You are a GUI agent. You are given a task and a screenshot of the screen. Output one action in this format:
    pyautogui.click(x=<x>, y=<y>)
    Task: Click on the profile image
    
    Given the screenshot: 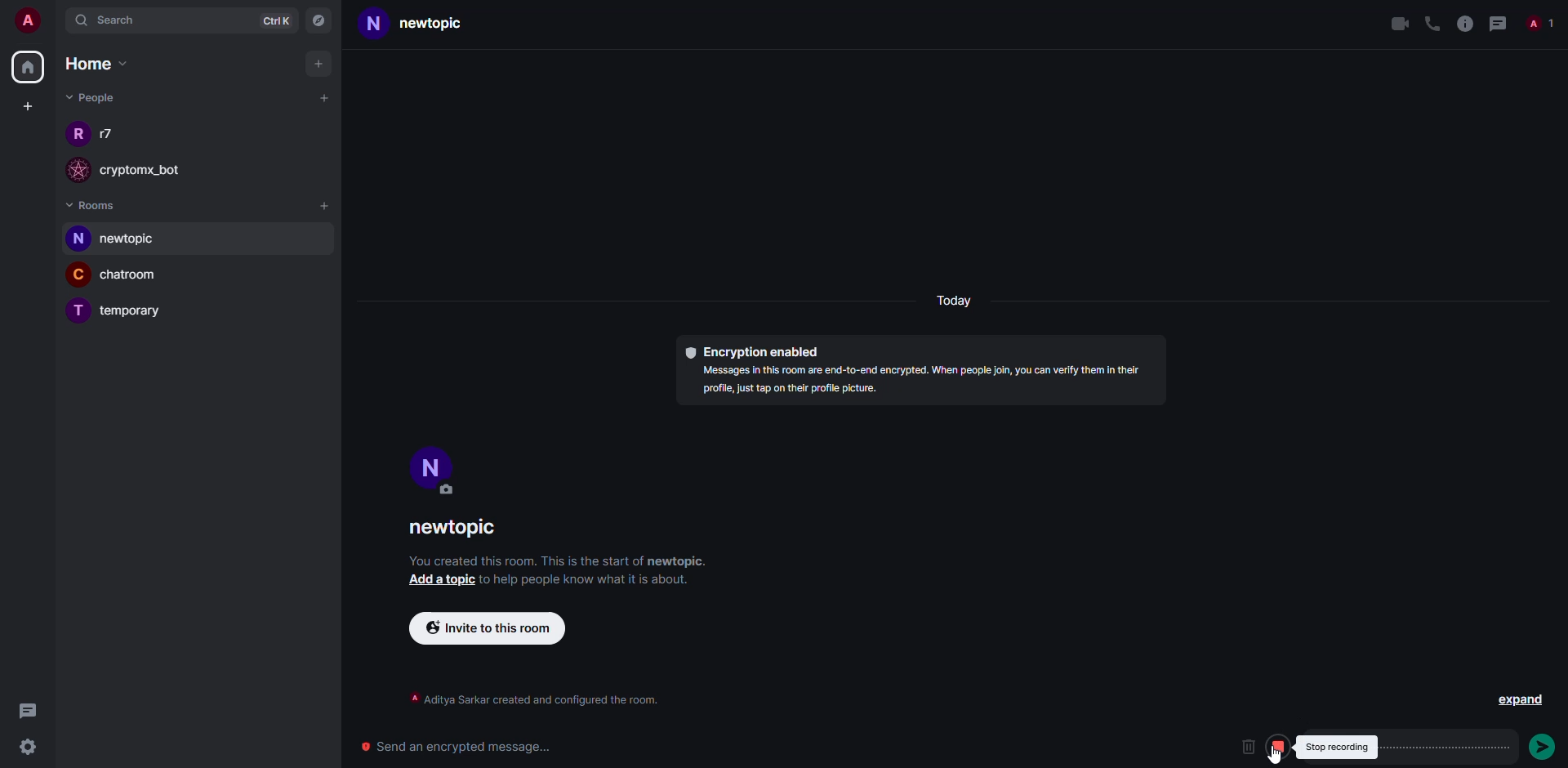 What is the action you would take?
    pyautogui.click(x=79, y=170)
    